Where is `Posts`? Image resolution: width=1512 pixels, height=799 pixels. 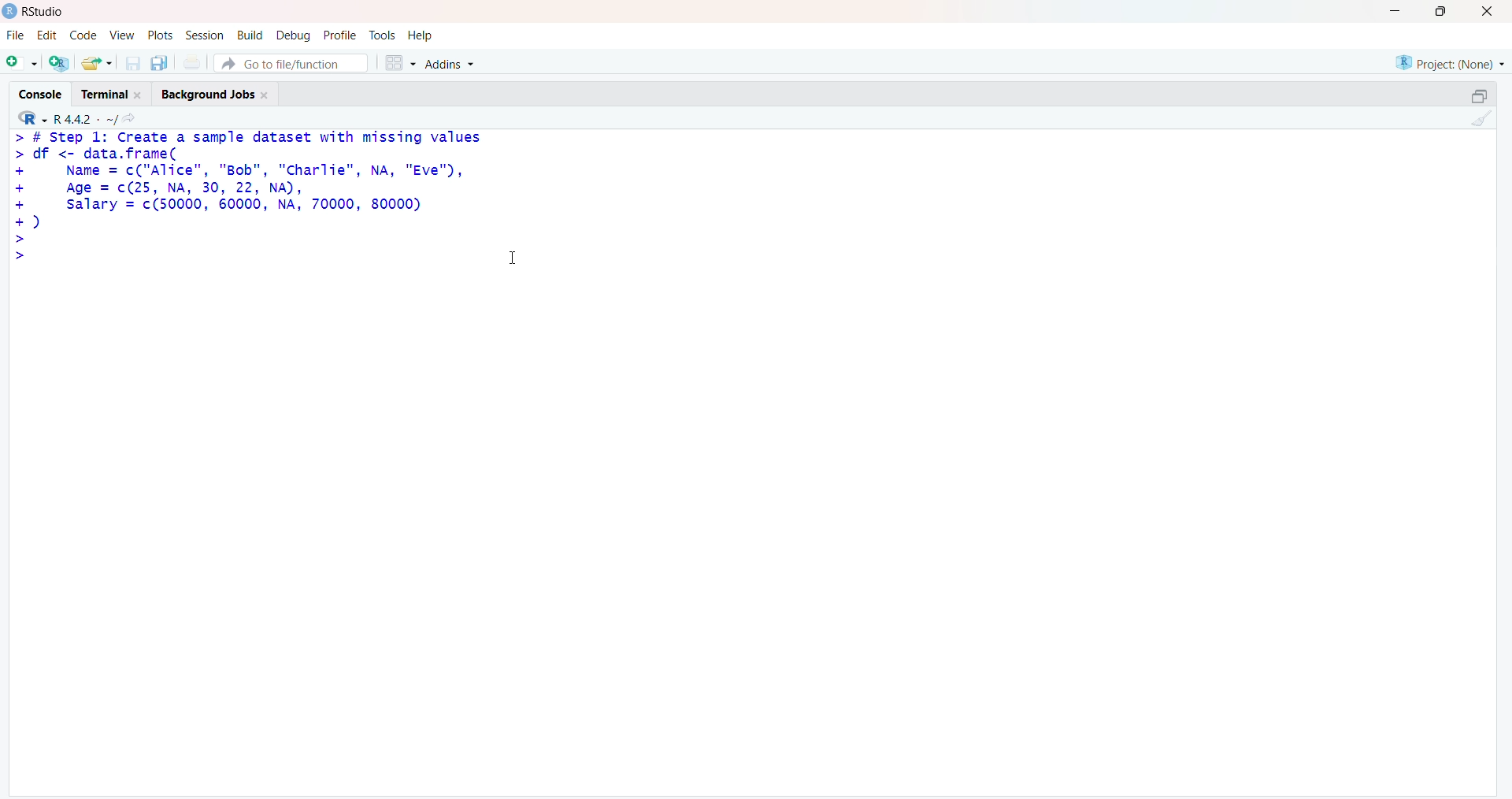
Posts is located at coordinates (160, 34).